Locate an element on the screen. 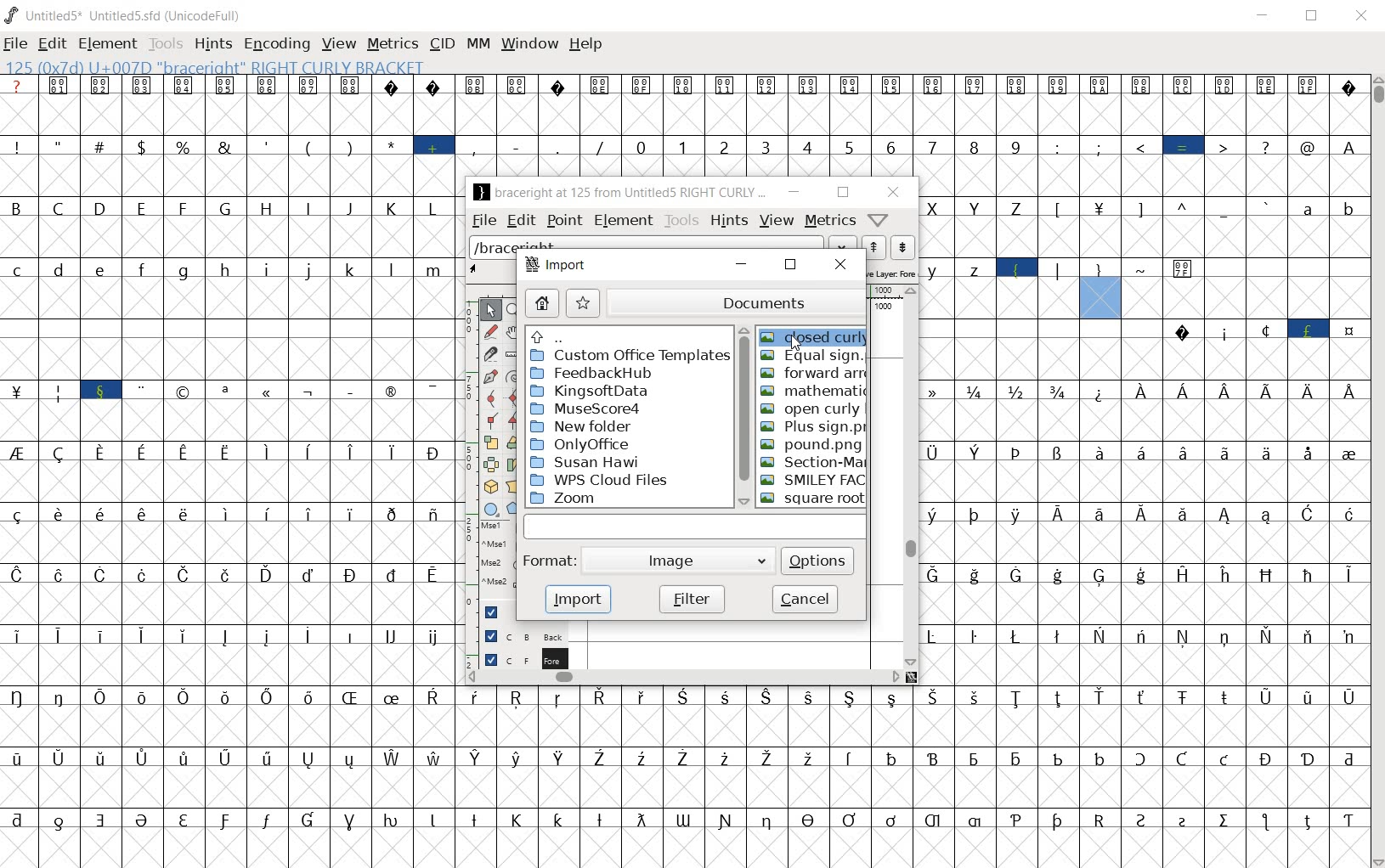  rotate the selection in 3D and project back to plane is located at coordinates (489, 487).